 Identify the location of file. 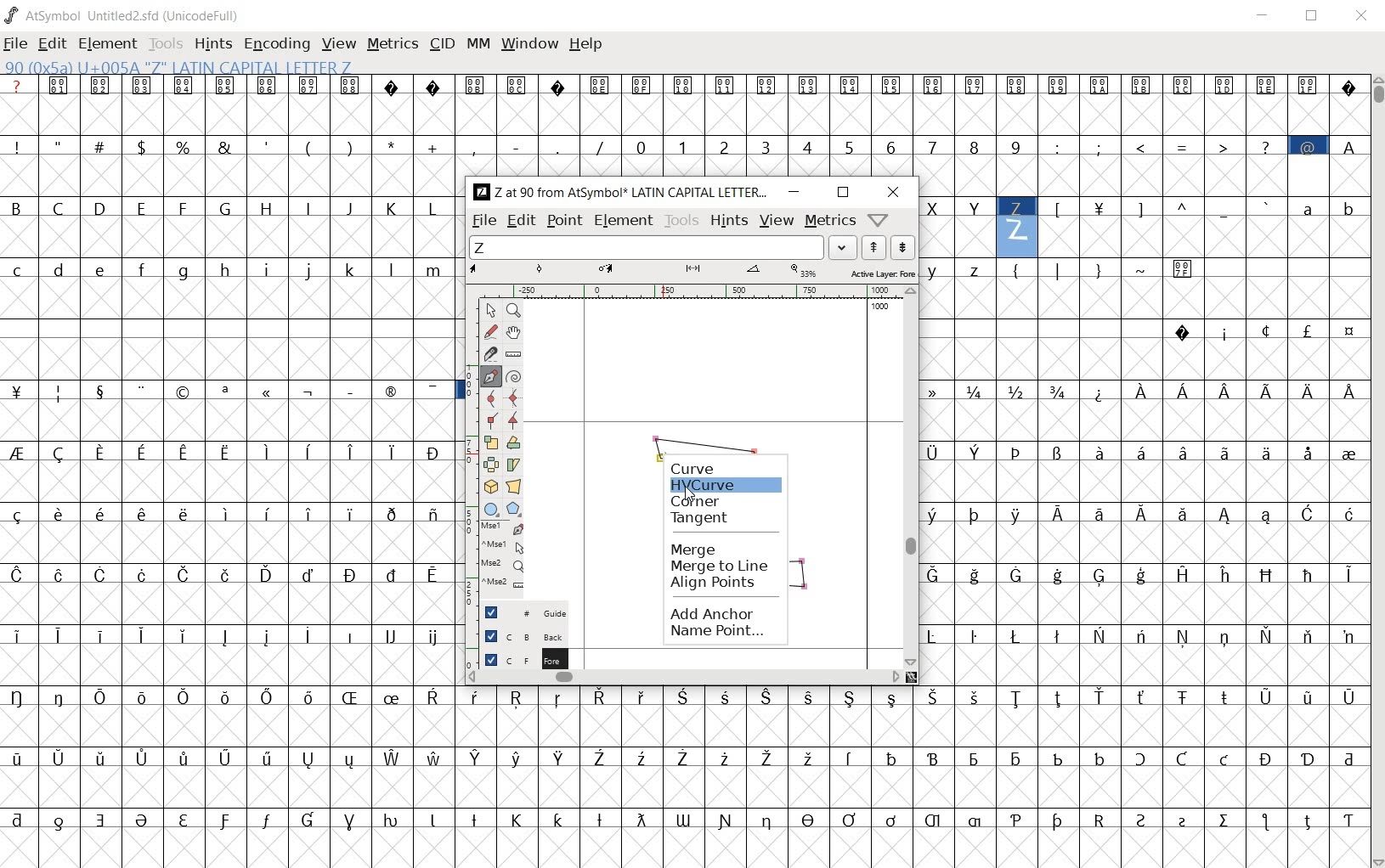
(483, 222).